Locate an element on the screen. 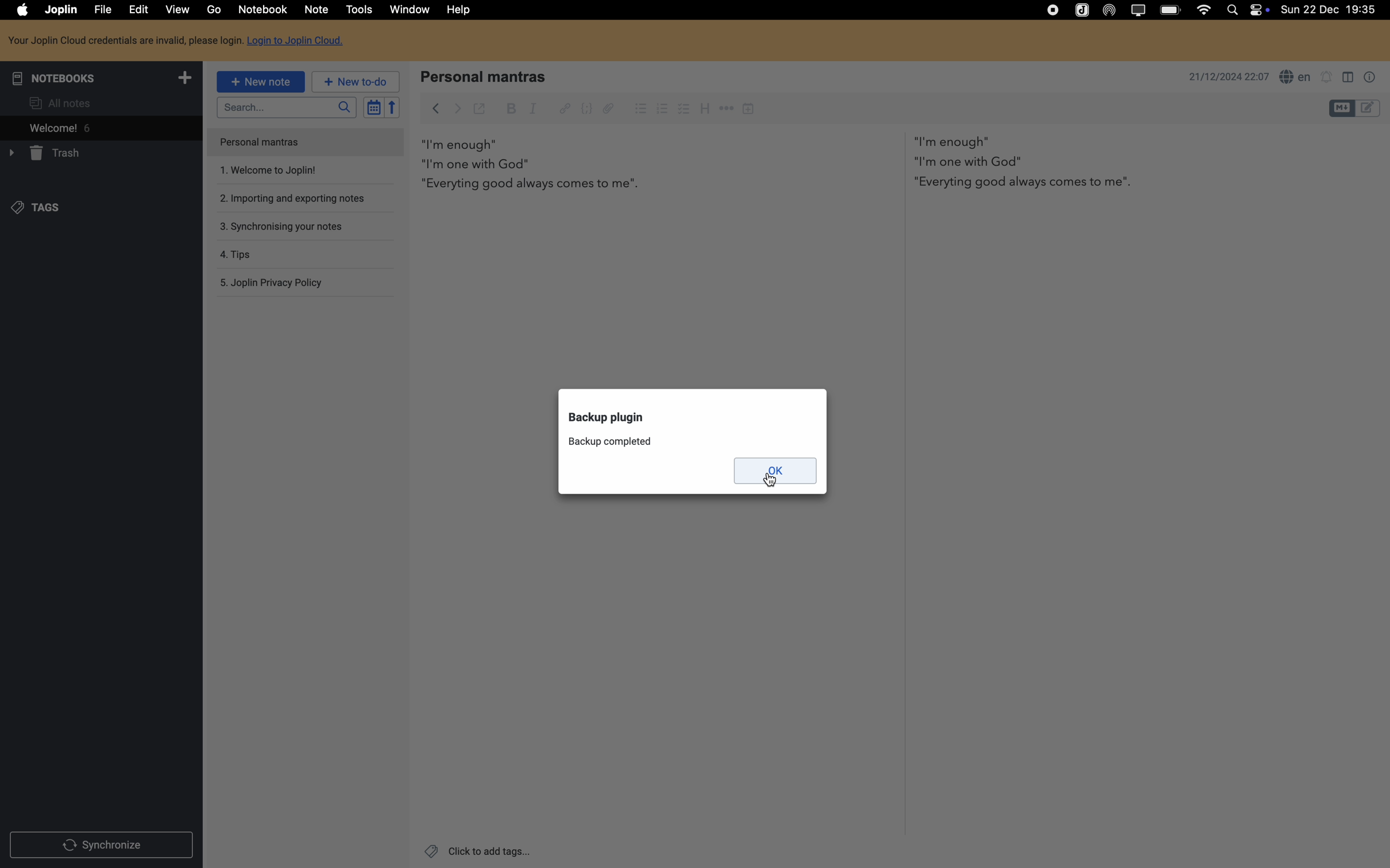 The width and height of the screenshot is (1390, 868). date and hour is located at coordinates (1333, 9).